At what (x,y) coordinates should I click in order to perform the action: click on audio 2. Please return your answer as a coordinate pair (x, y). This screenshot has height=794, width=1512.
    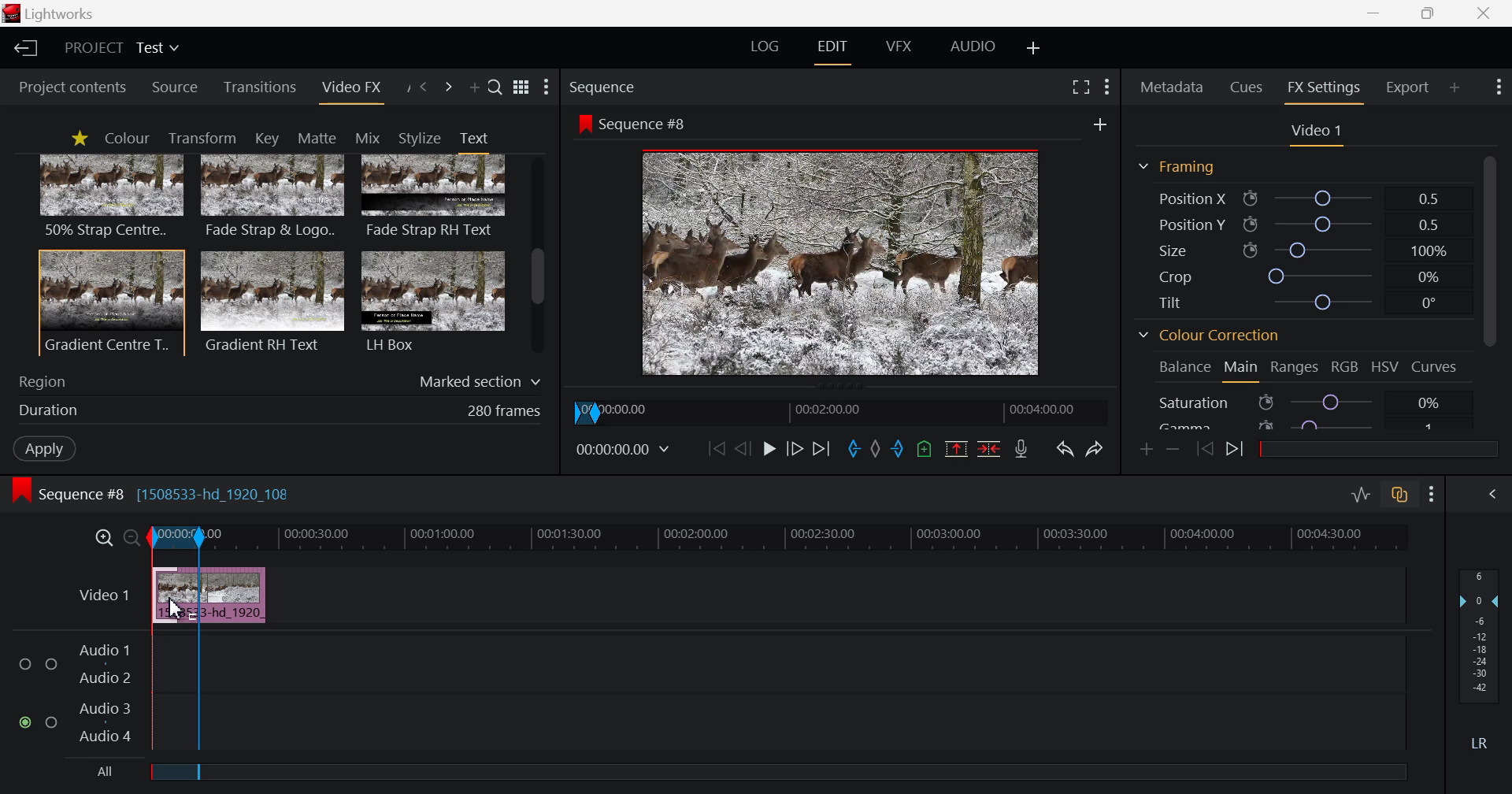
    Looking at the image, I should click on (107, 678).